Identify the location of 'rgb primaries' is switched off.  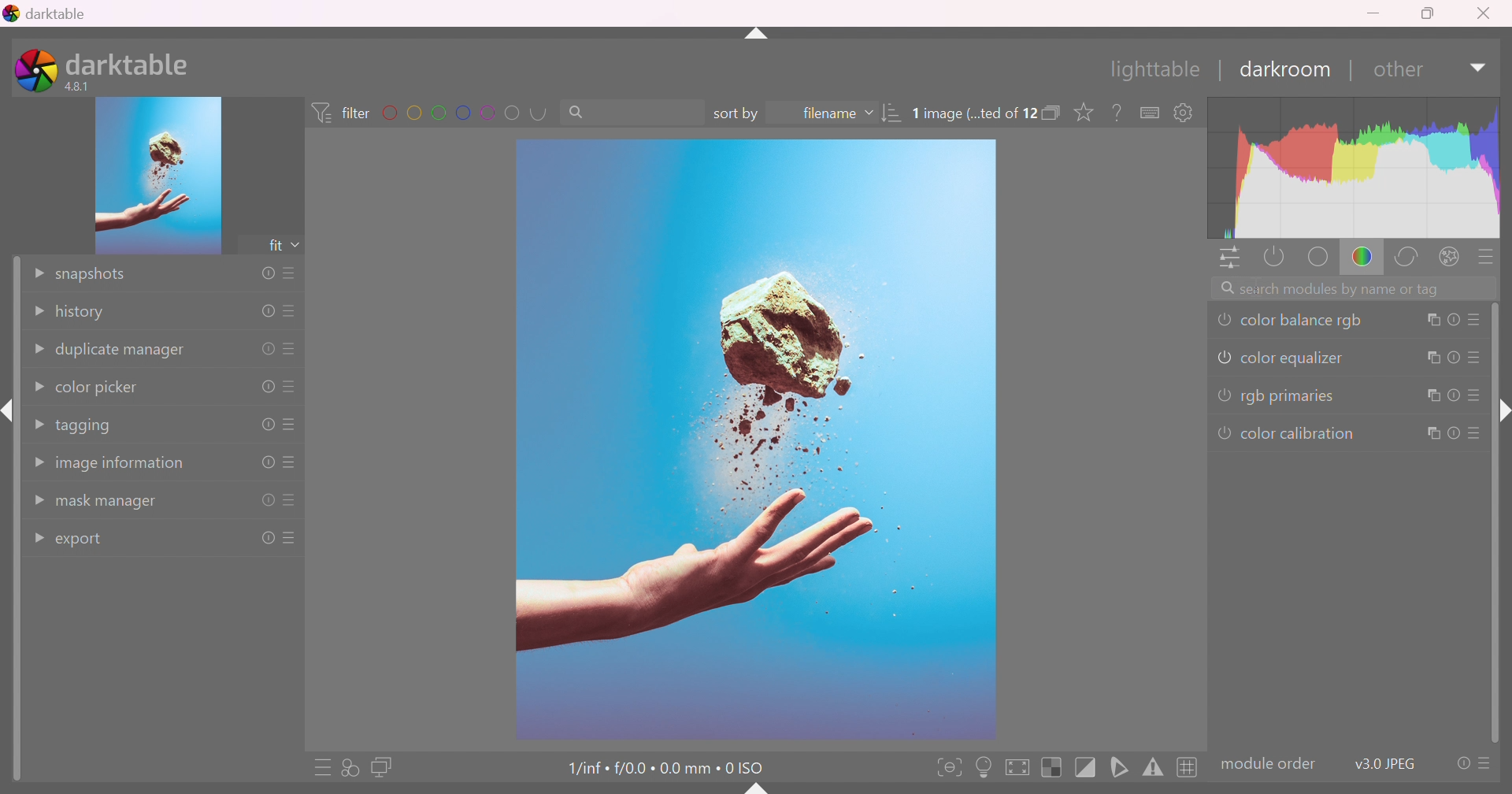
(1223, 397).